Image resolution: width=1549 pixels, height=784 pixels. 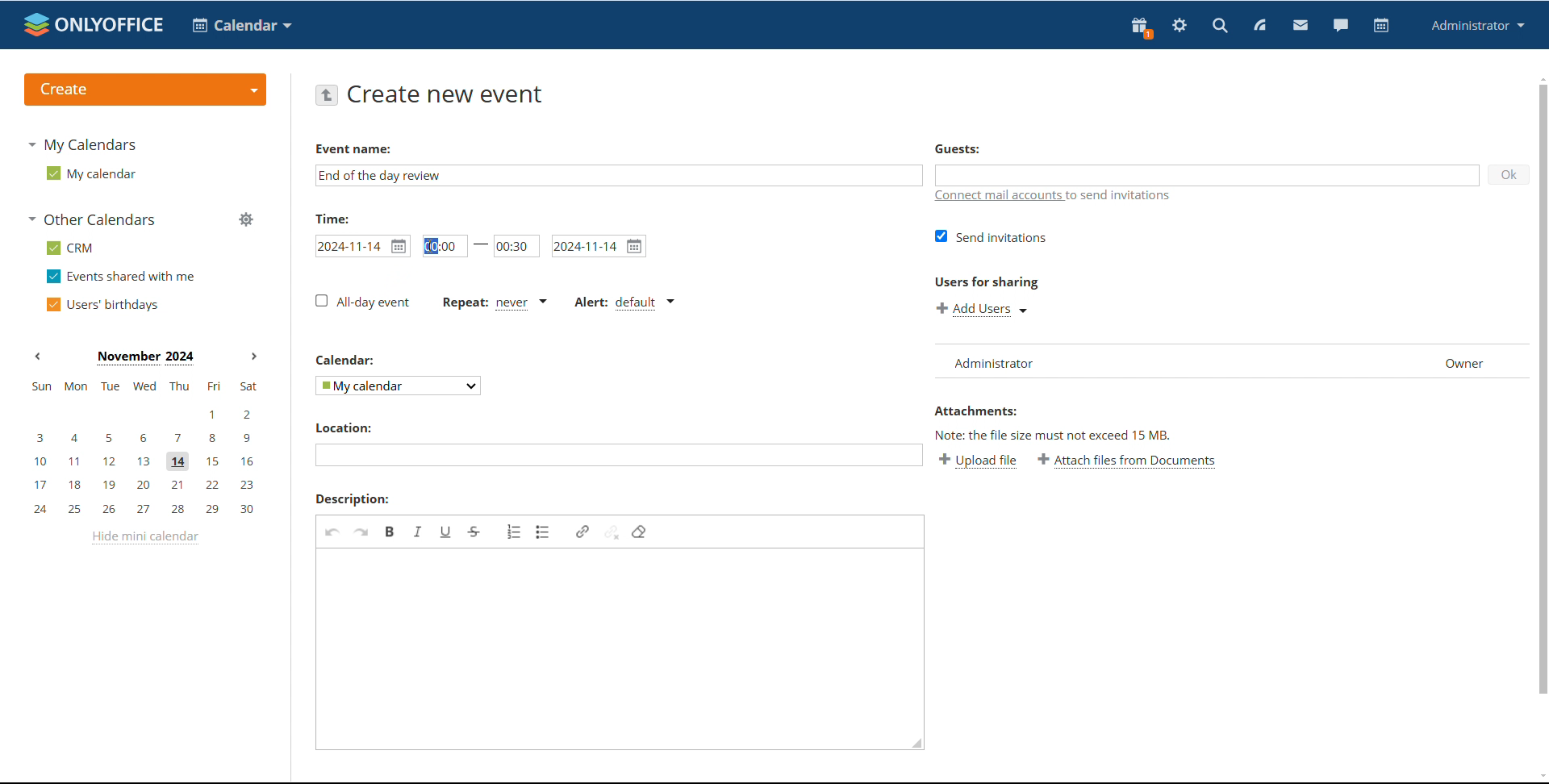 What do you see at coordinates (1058, 198) in the screenshot?
I see `connect mail accounts` at bounding box center [1058, 198].